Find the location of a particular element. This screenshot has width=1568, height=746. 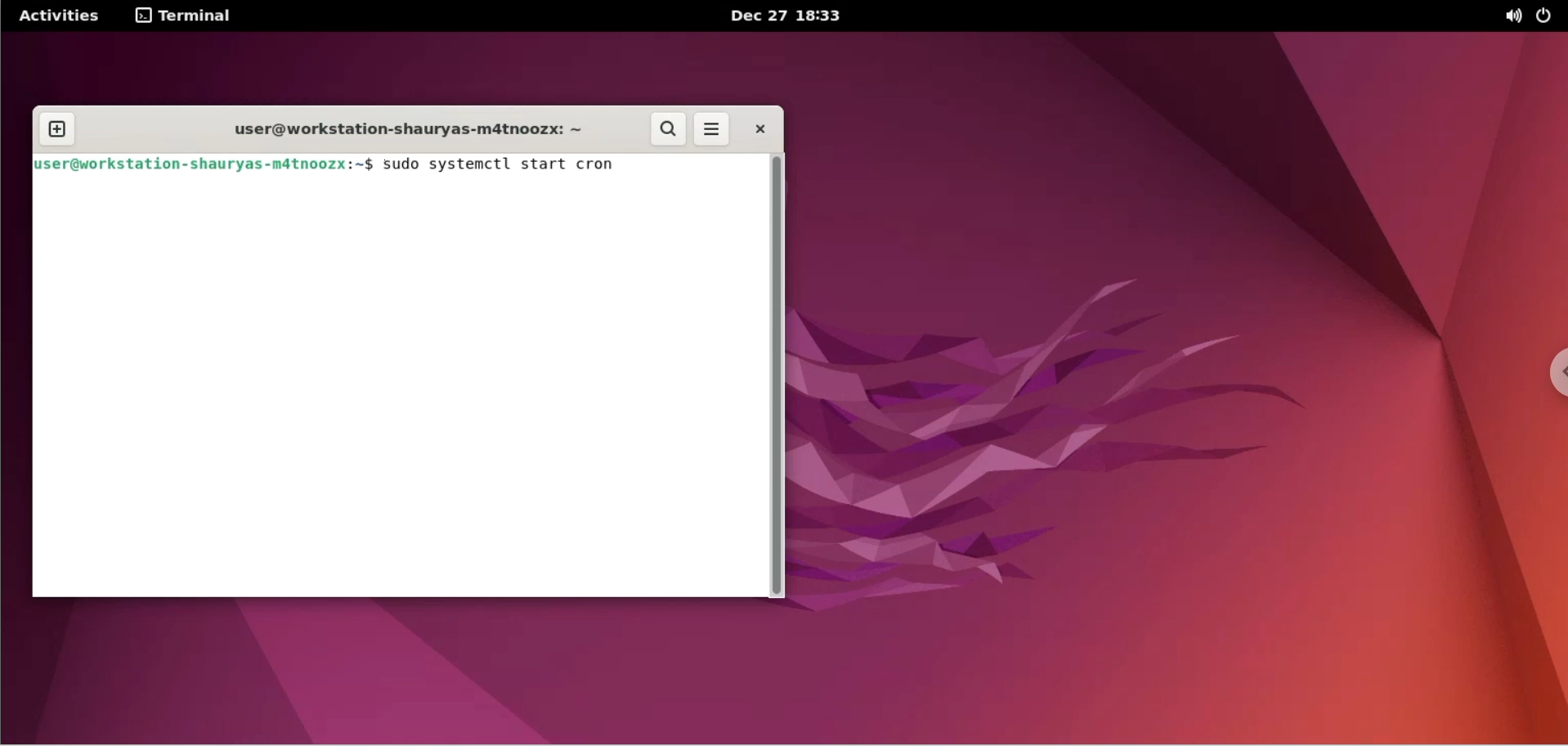

Dec 27 18:33 is located at coordinates (792, 16).